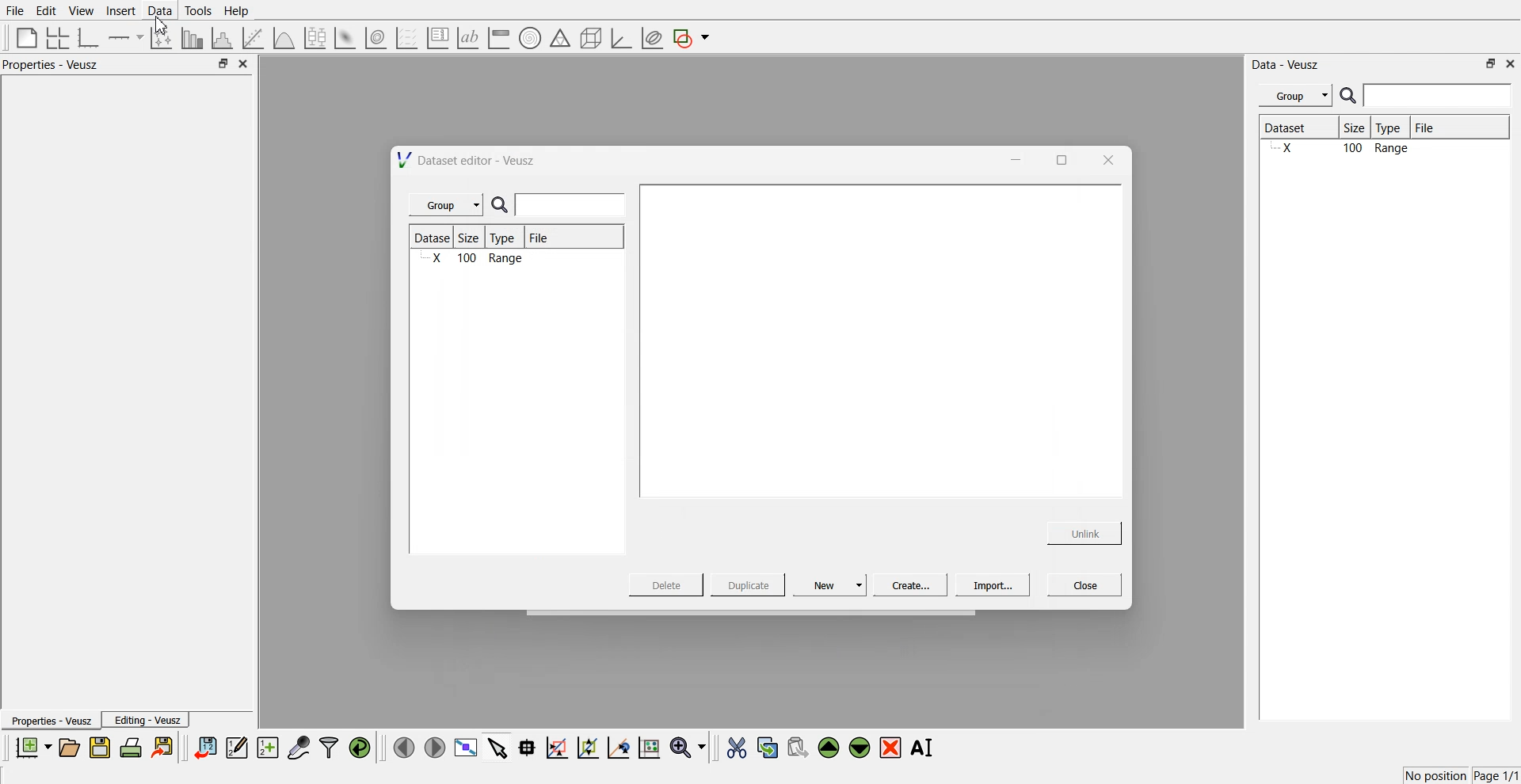 The width and height of the screenshot is (1521, 784). Describe the element at coordinates (668, 584) in the screenshot. I see `Delete` at that location.